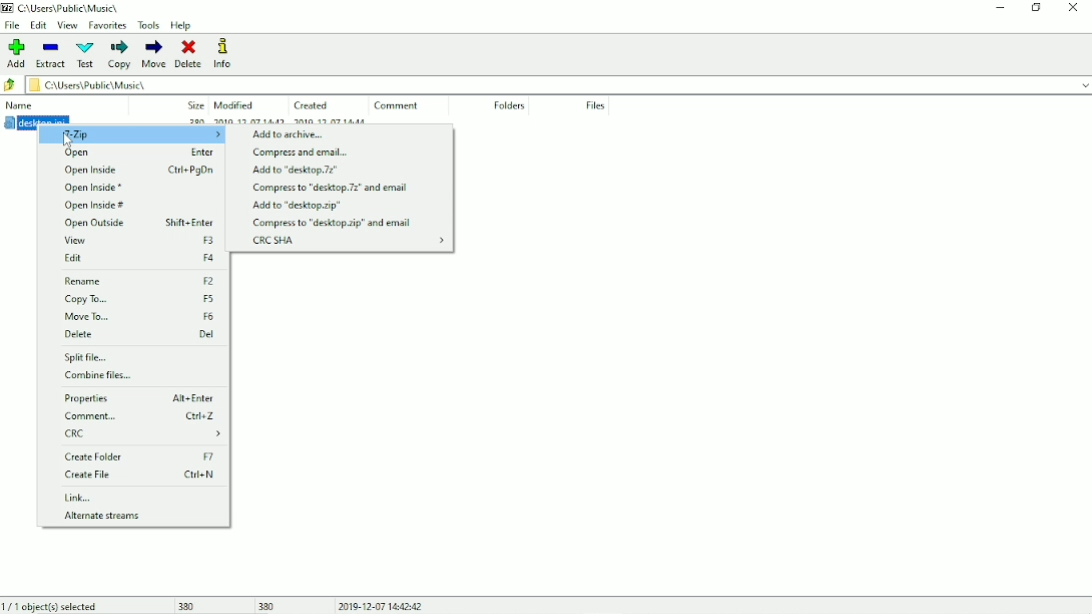 This screenshot has width=1092, height=614. Describe the element at coordinates (398, 106) in the screenshot. I see `Comment` at that location.